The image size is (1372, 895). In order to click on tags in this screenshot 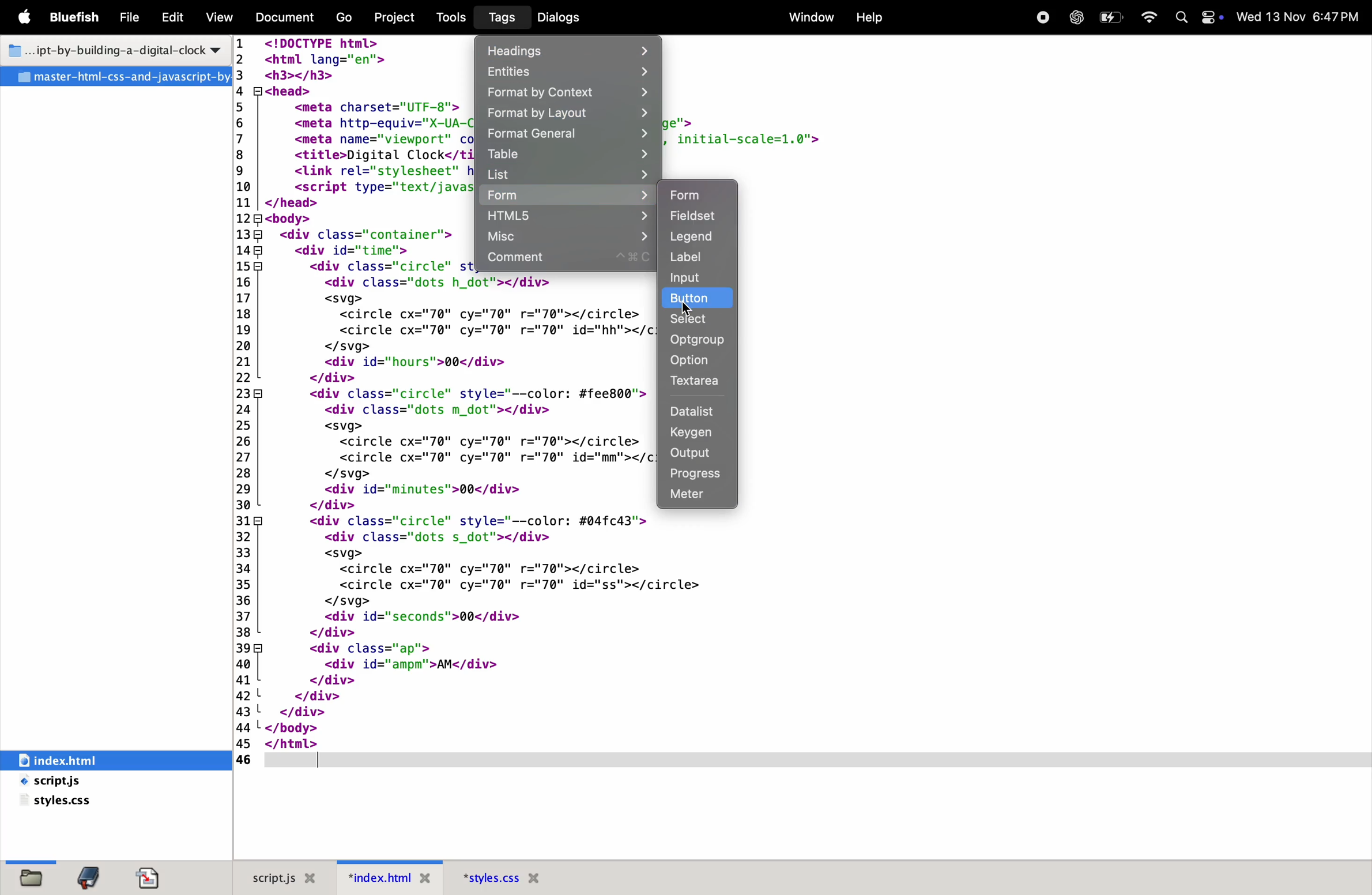, I will do `click(497, 19)`.